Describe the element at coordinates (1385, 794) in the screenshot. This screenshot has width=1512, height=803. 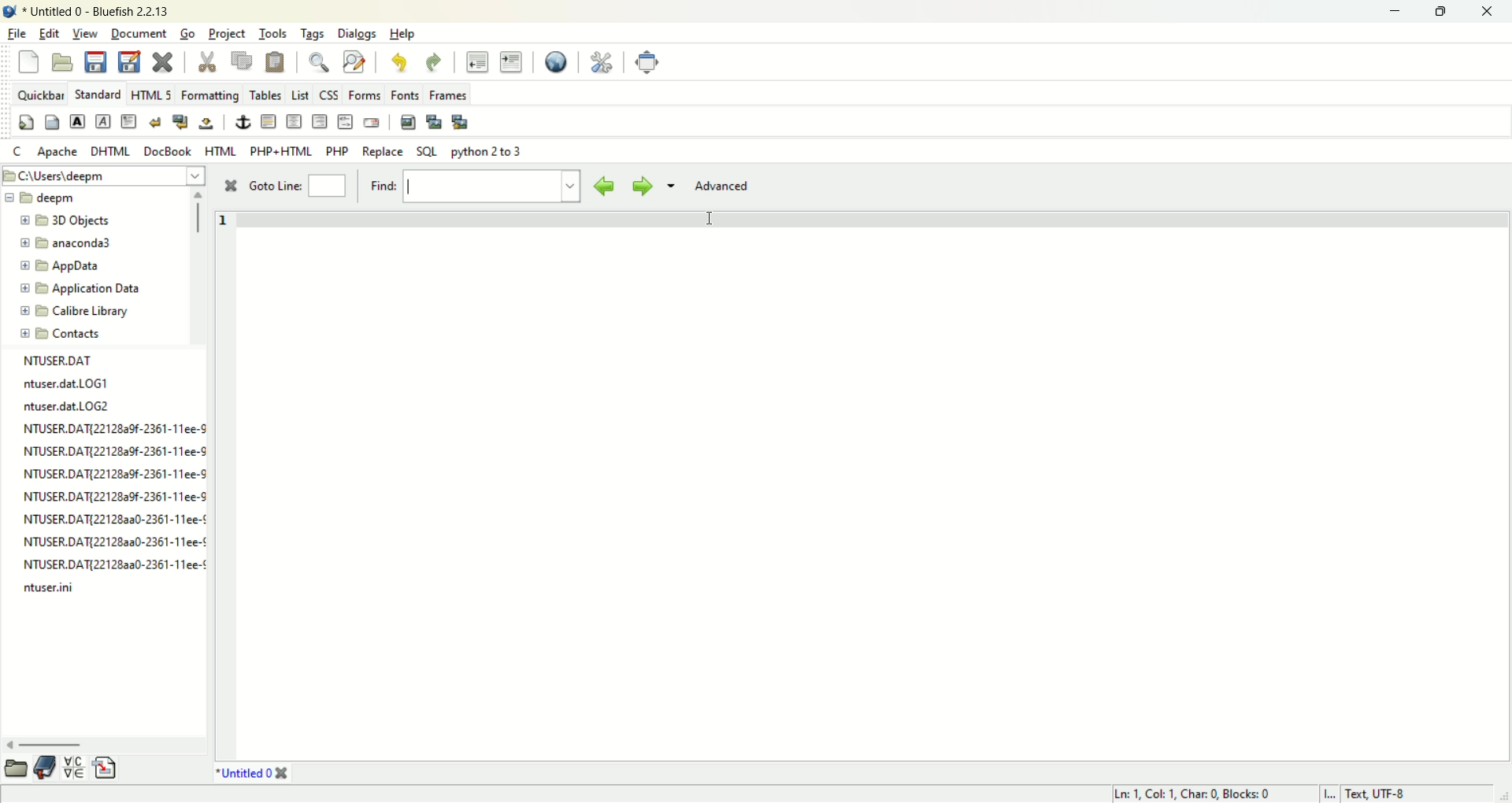
I see `text, UTF-8` at that location.